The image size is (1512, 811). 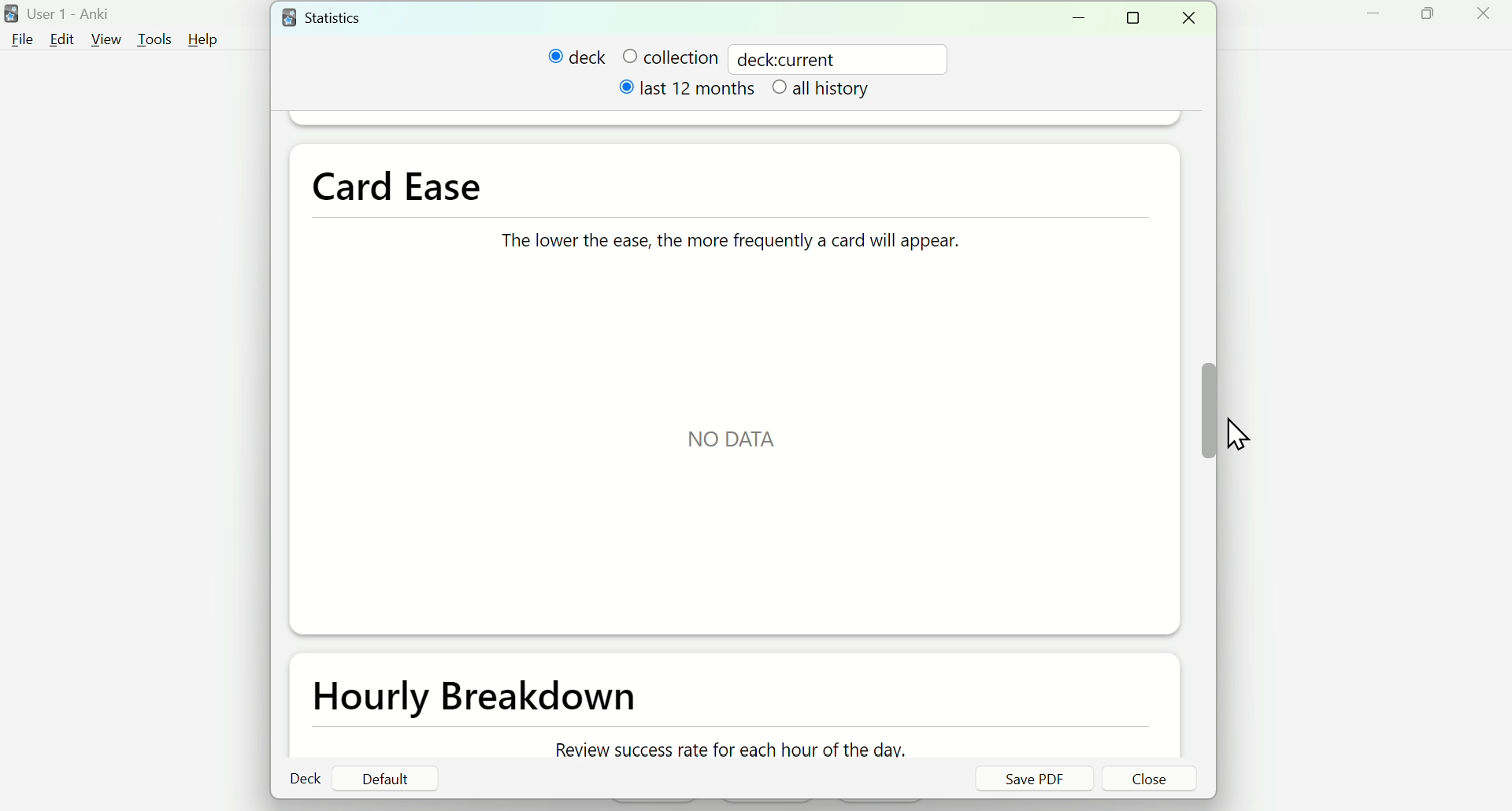 What do you see at coordinates (577, 57) in the screenshot?
I see `deck` at bounding box center [577, 57].